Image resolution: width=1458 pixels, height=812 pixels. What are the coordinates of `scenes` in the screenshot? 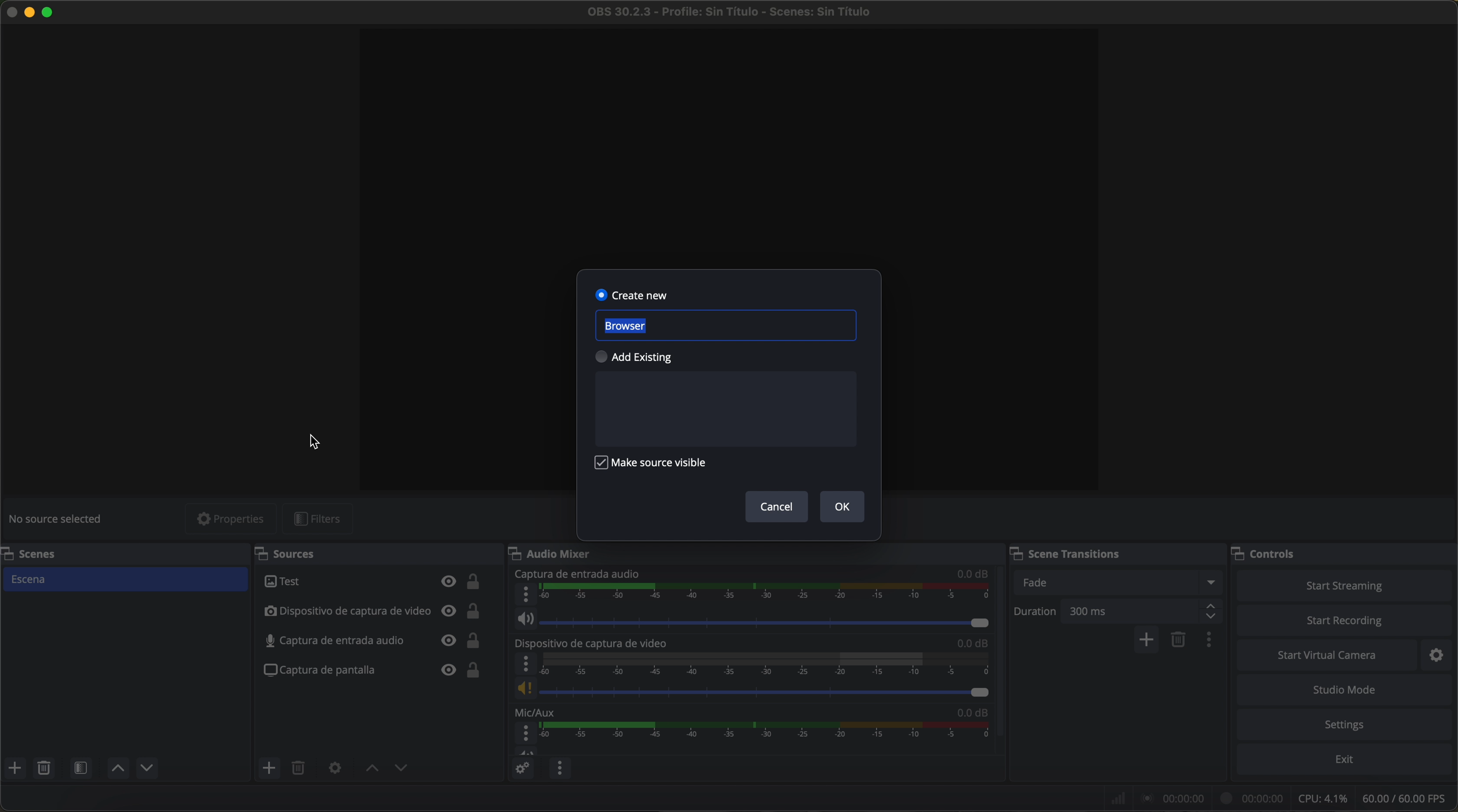 It's located at (40, 554).